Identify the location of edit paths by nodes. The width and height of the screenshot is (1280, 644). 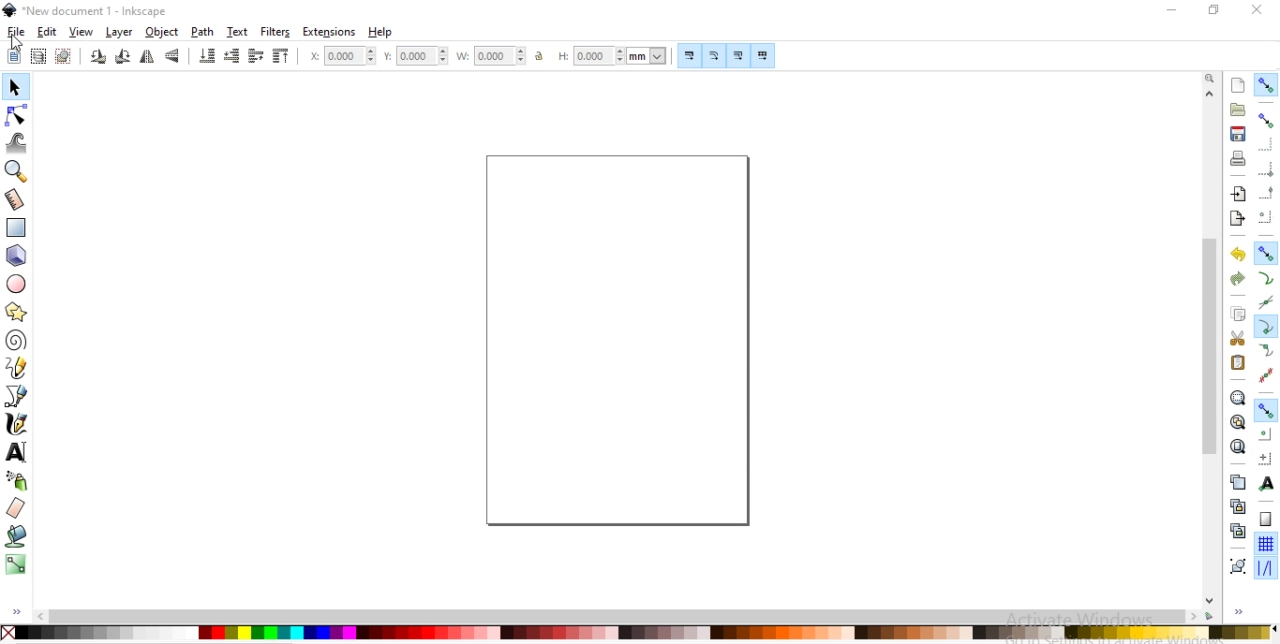
(15, 118).